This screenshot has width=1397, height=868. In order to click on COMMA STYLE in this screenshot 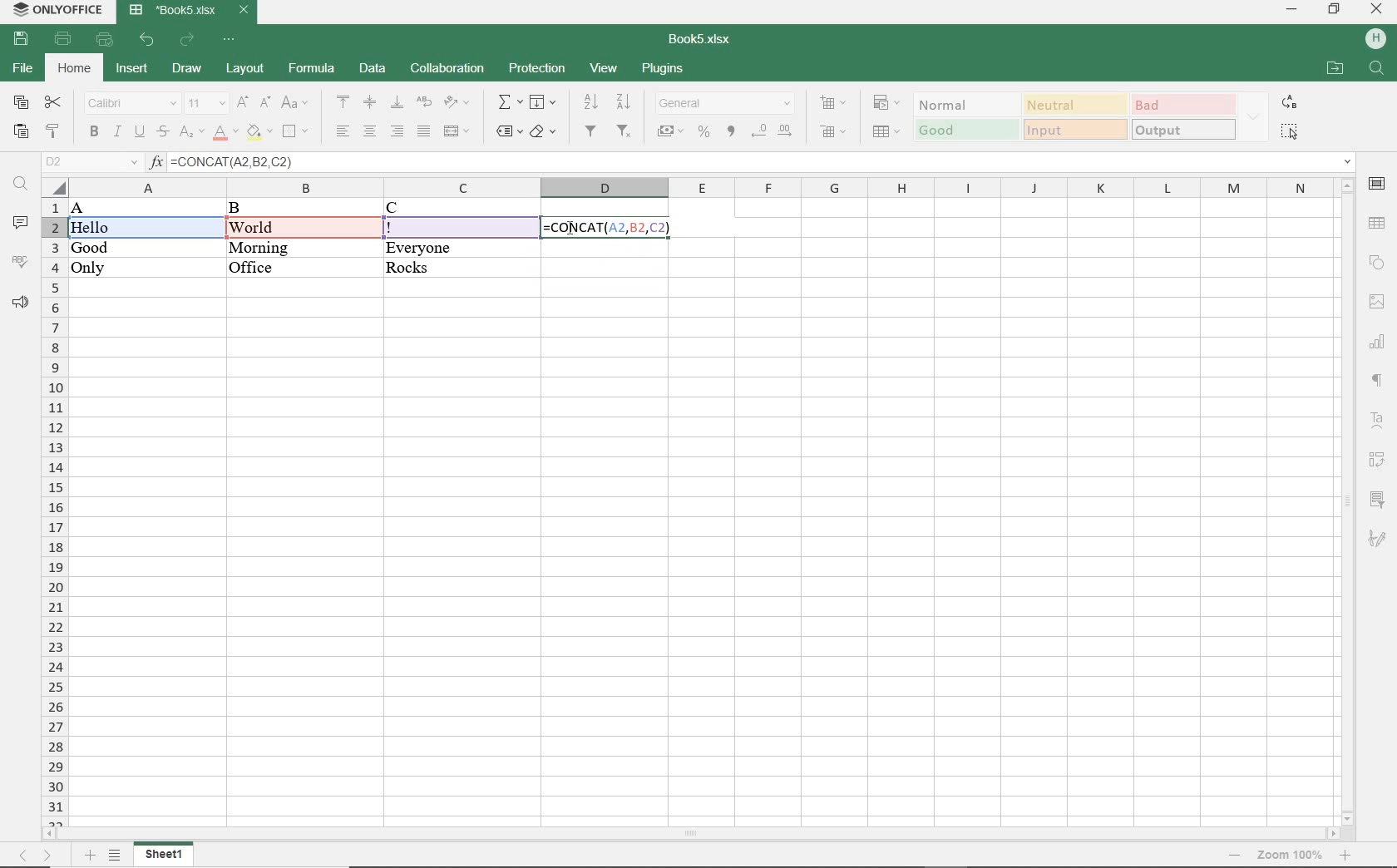, I will do `click(732, 131)`.